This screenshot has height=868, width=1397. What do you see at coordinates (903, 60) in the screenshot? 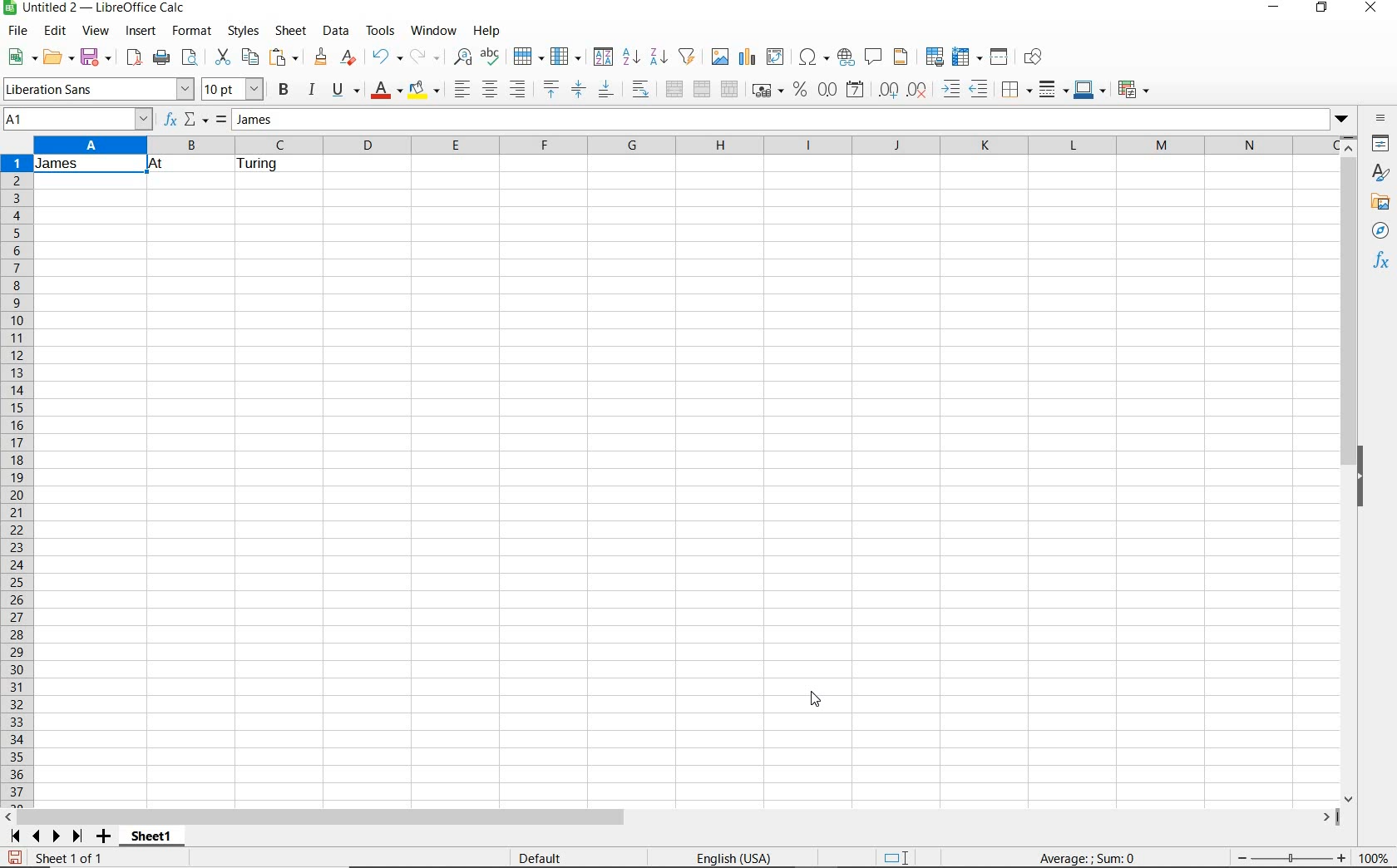
I see `headers and footers` at bounding box center [903, 60].